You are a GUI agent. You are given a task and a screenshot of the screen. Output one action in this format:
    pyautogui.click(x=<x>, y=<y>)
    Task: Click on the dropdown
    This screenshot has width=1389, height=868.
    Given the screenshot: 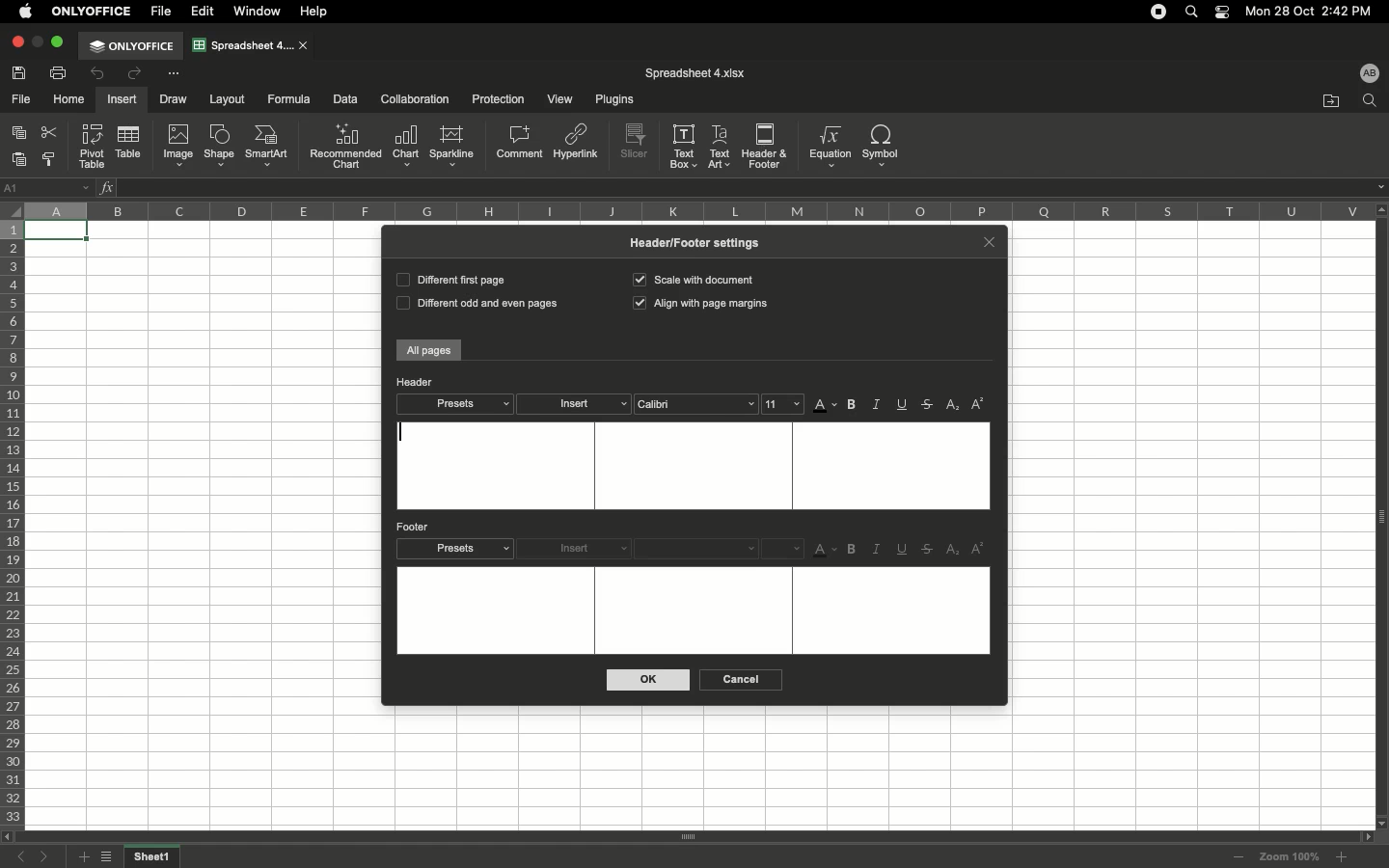 What is the action you would take?
    pyautogui.click(x=1380, y=187)
    